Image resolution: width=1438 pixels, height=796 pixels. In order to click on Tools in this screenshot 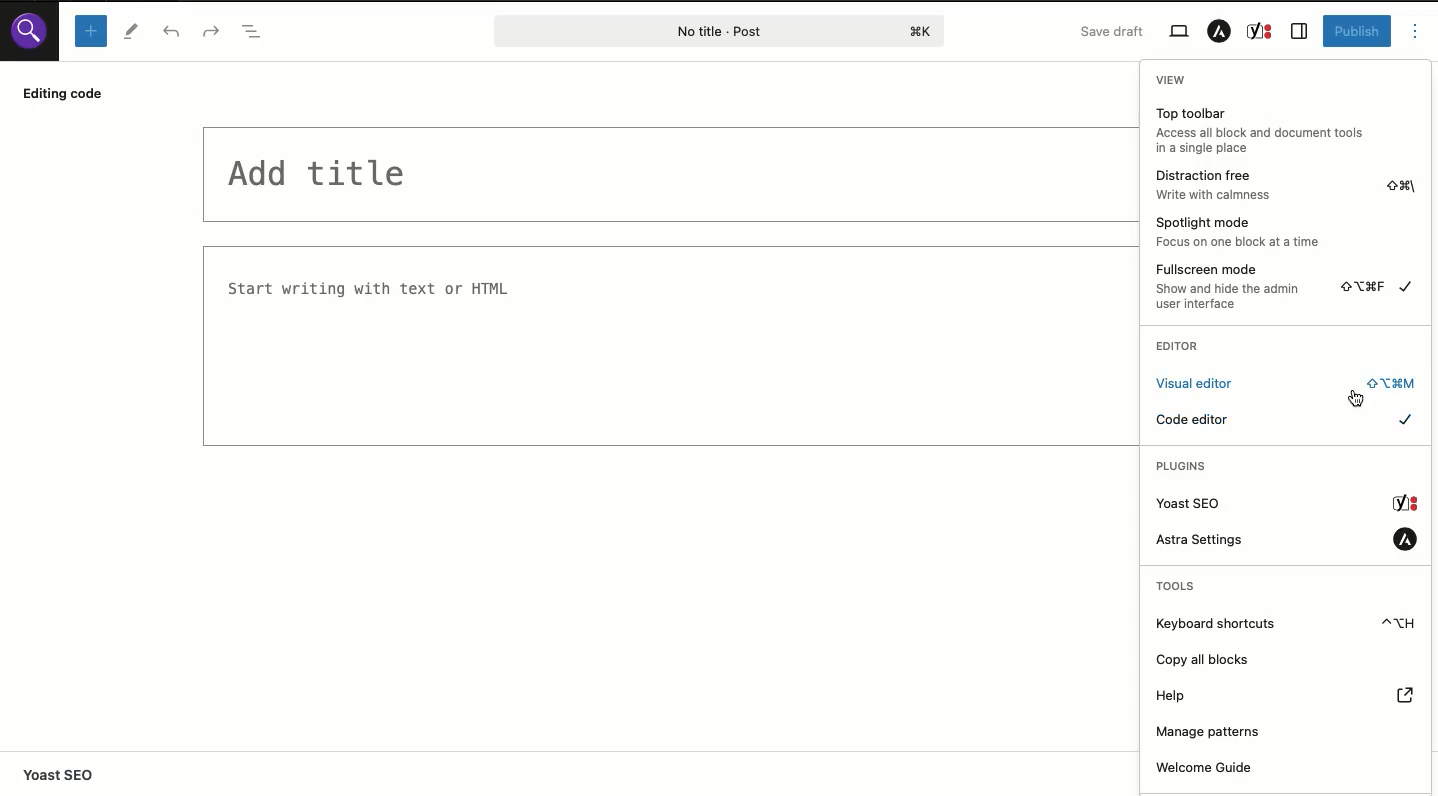, I will do `click(1176, 586)`.